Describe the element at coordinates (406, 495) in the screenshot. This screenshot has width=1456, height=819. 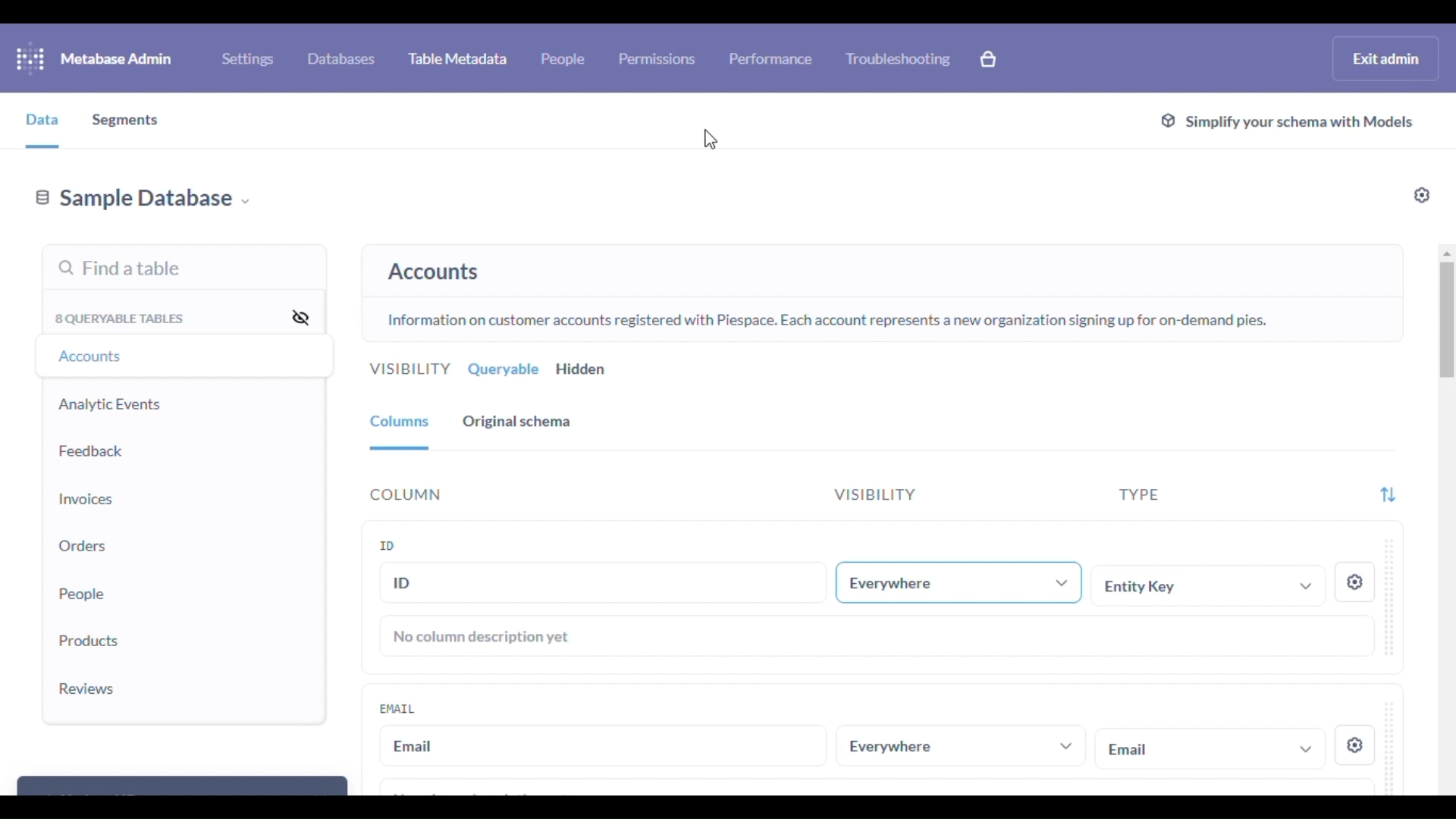
I see `column` at that location.